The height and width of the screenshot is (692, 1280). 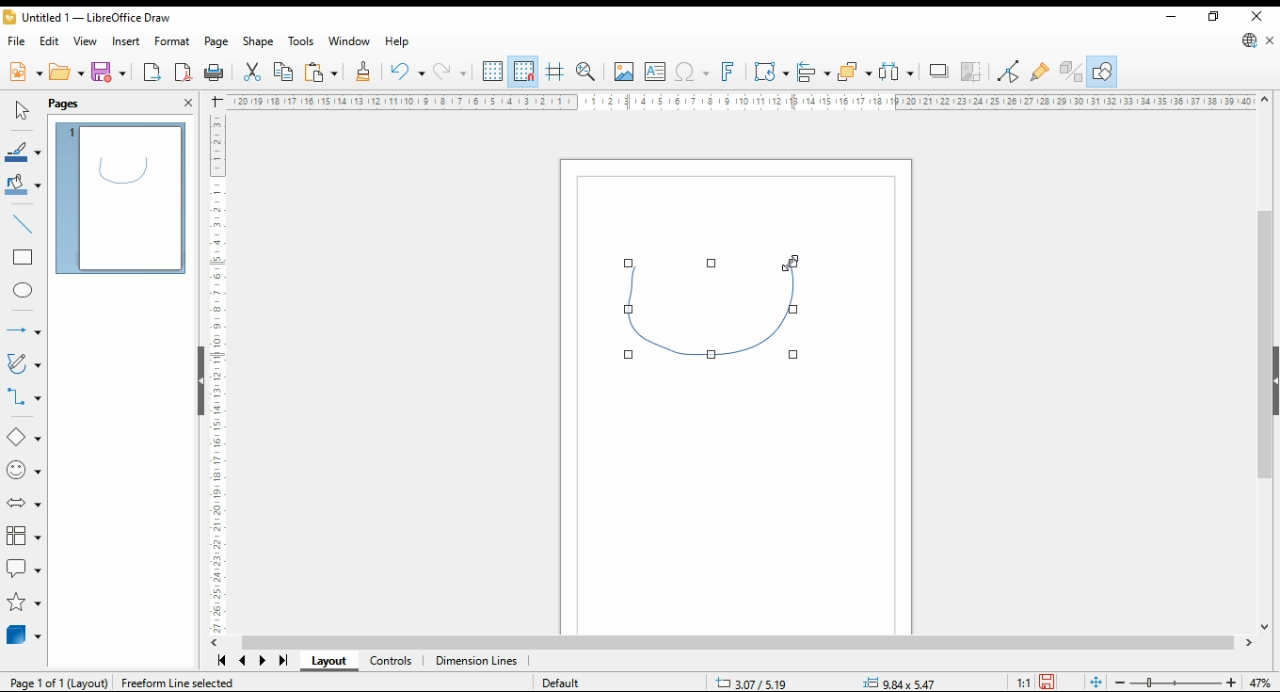 What do you see at coordinates (729, 72) in the screenshot?
I see `insert fontwork text` at bounding box center [729, 72].